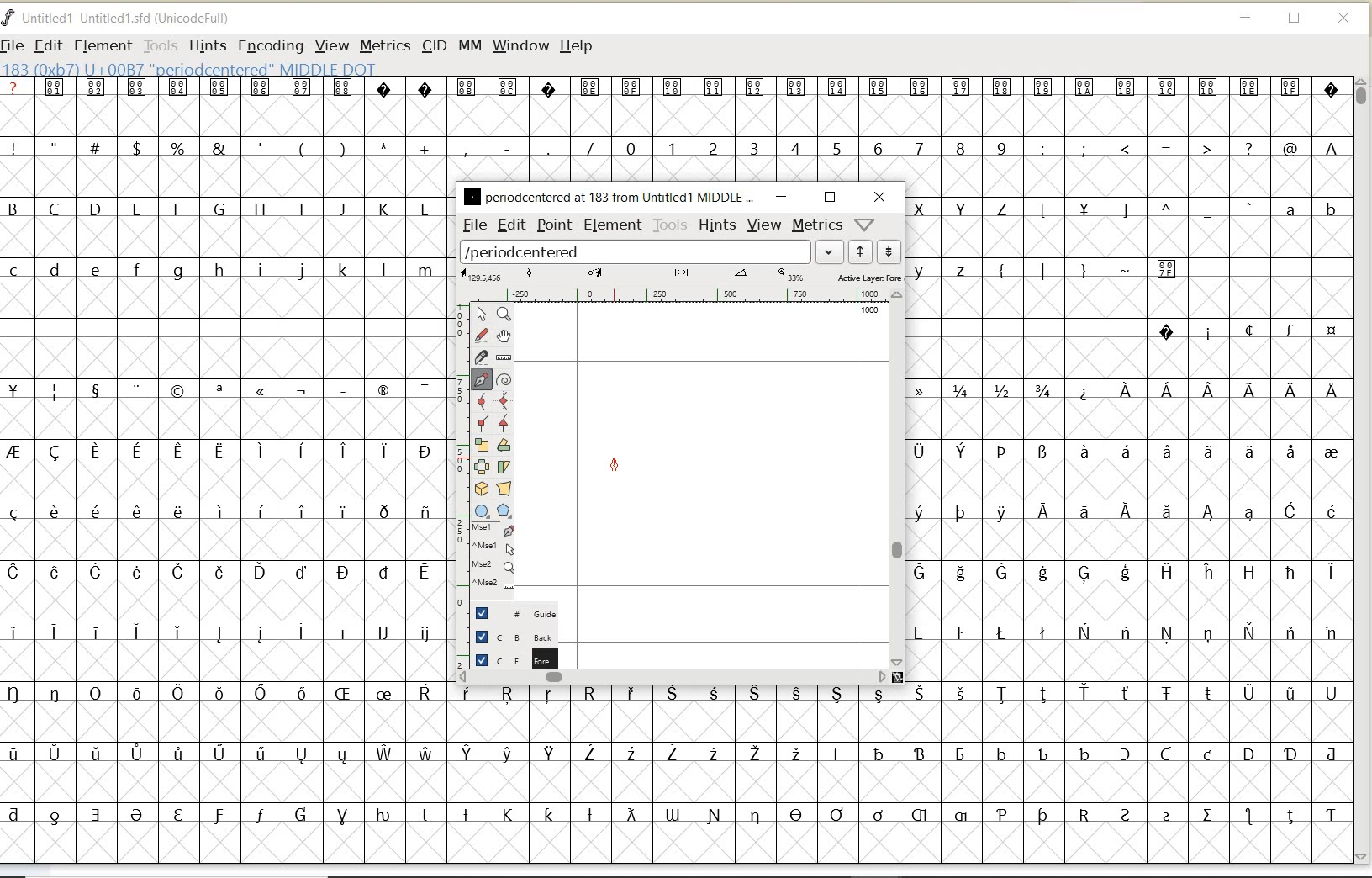 The image size is (1372, 878). What do you see at coordinates (520, 45) in the screenshot?
I see `WINDOW` at bounding box center [520, 45].